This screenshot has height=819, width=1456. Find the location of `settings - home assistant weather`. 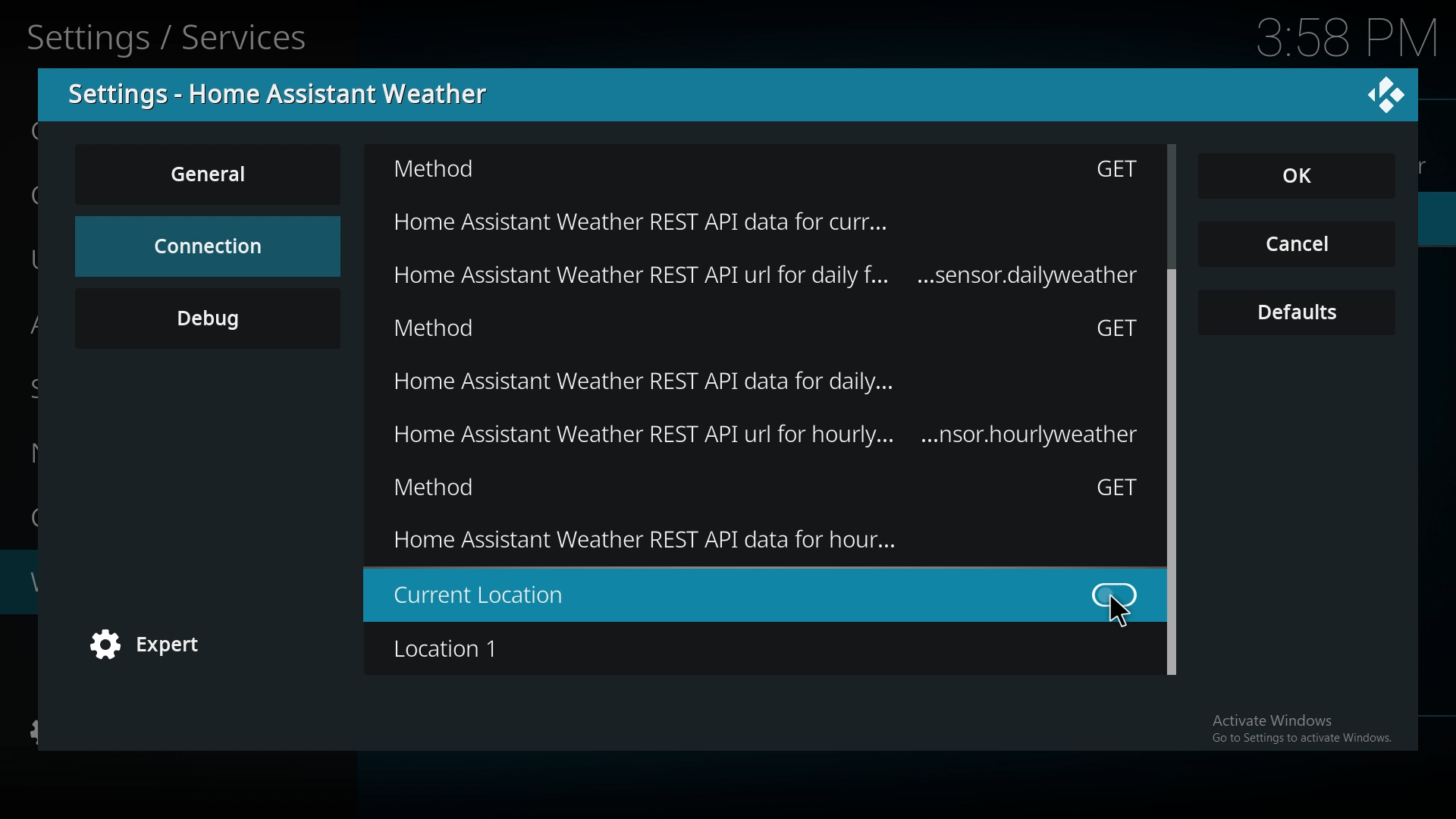

settings - home assistant weather is located at coordinates (287, 94).